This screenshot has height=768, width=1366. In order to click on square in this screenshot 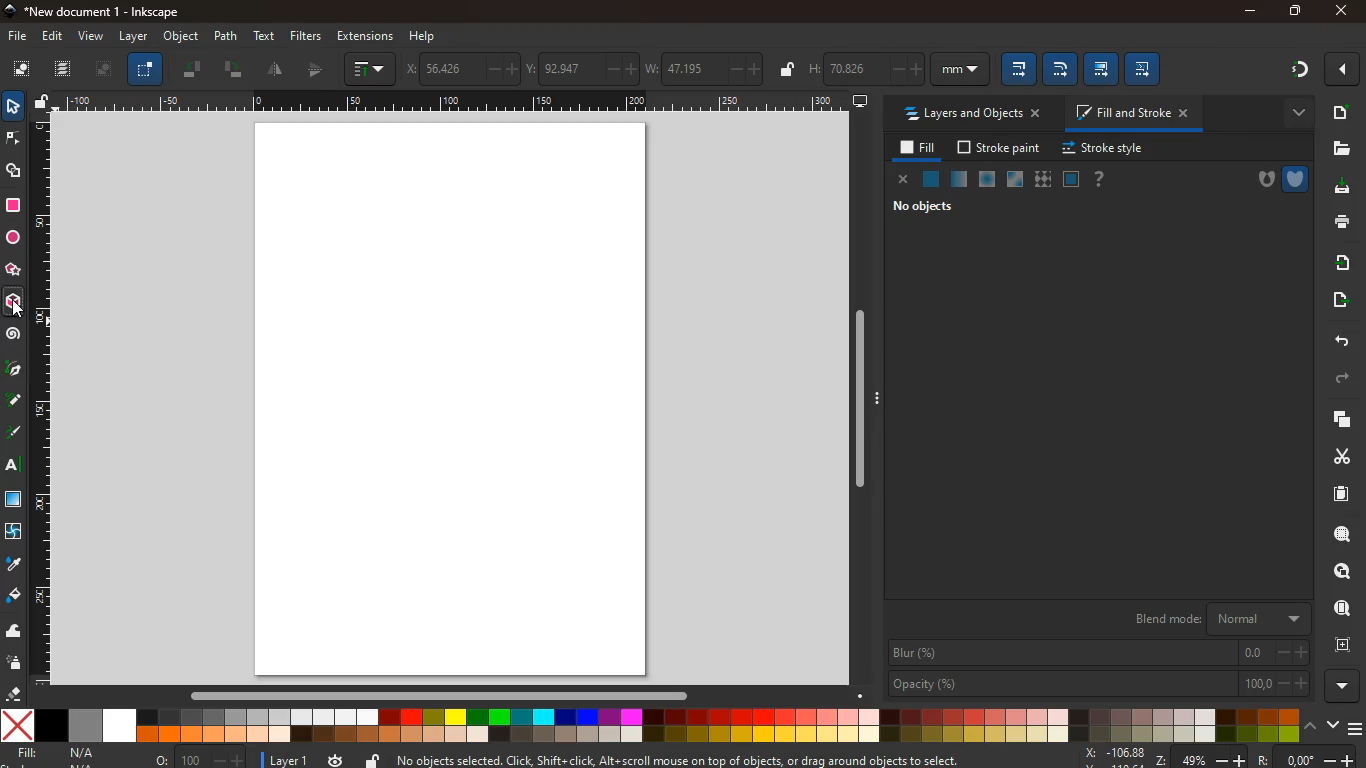, I will do `click(13, 205)`.